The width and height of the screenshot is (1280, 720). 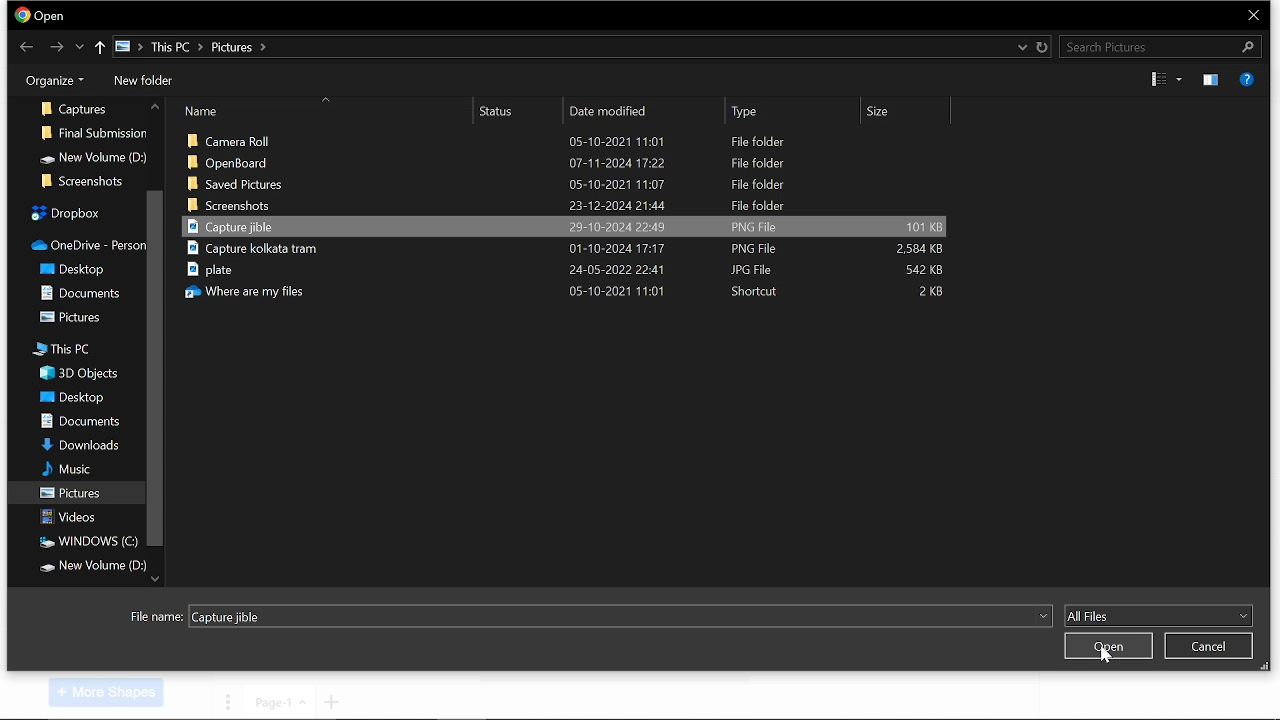 What do you see at coordinates (64, 349) in the screenshot?
I see `folders` at bounding box center [64, 349].